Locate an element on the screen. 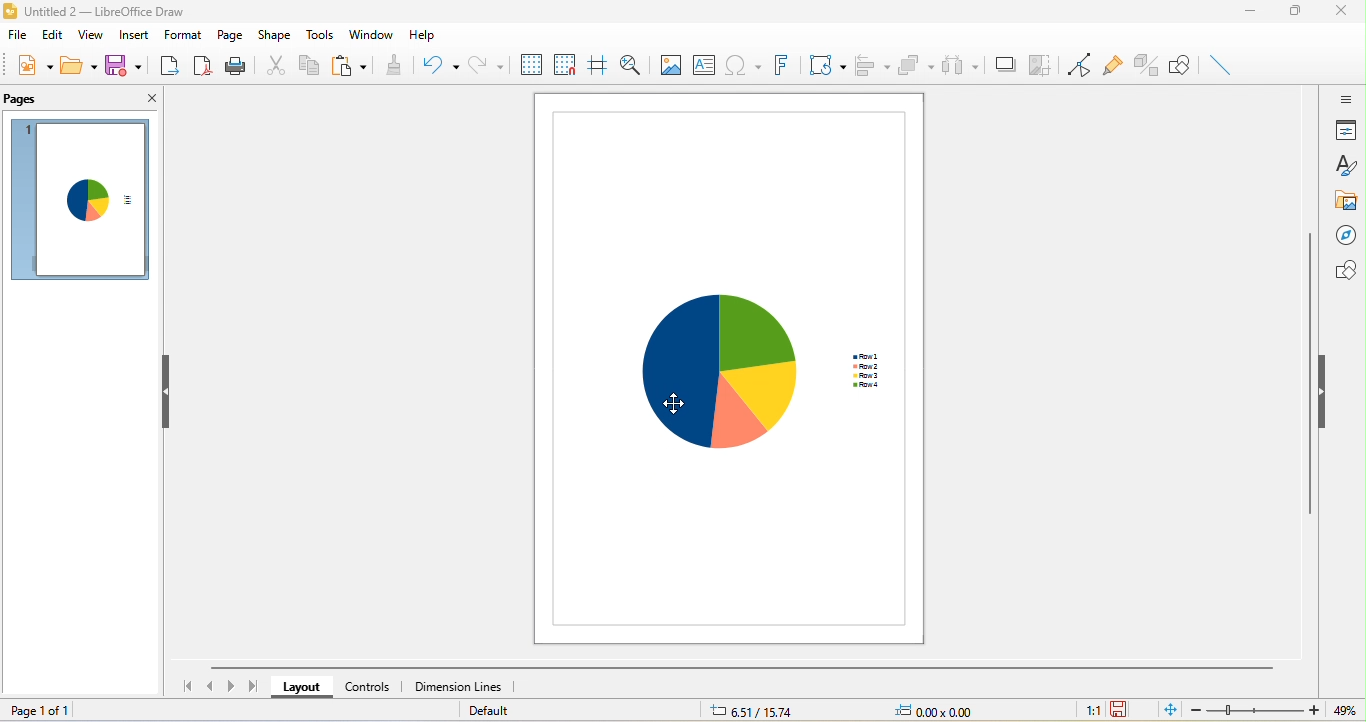 The width and height of the screenshot is (1366, 722). clone is located at coordinates (394, 66).